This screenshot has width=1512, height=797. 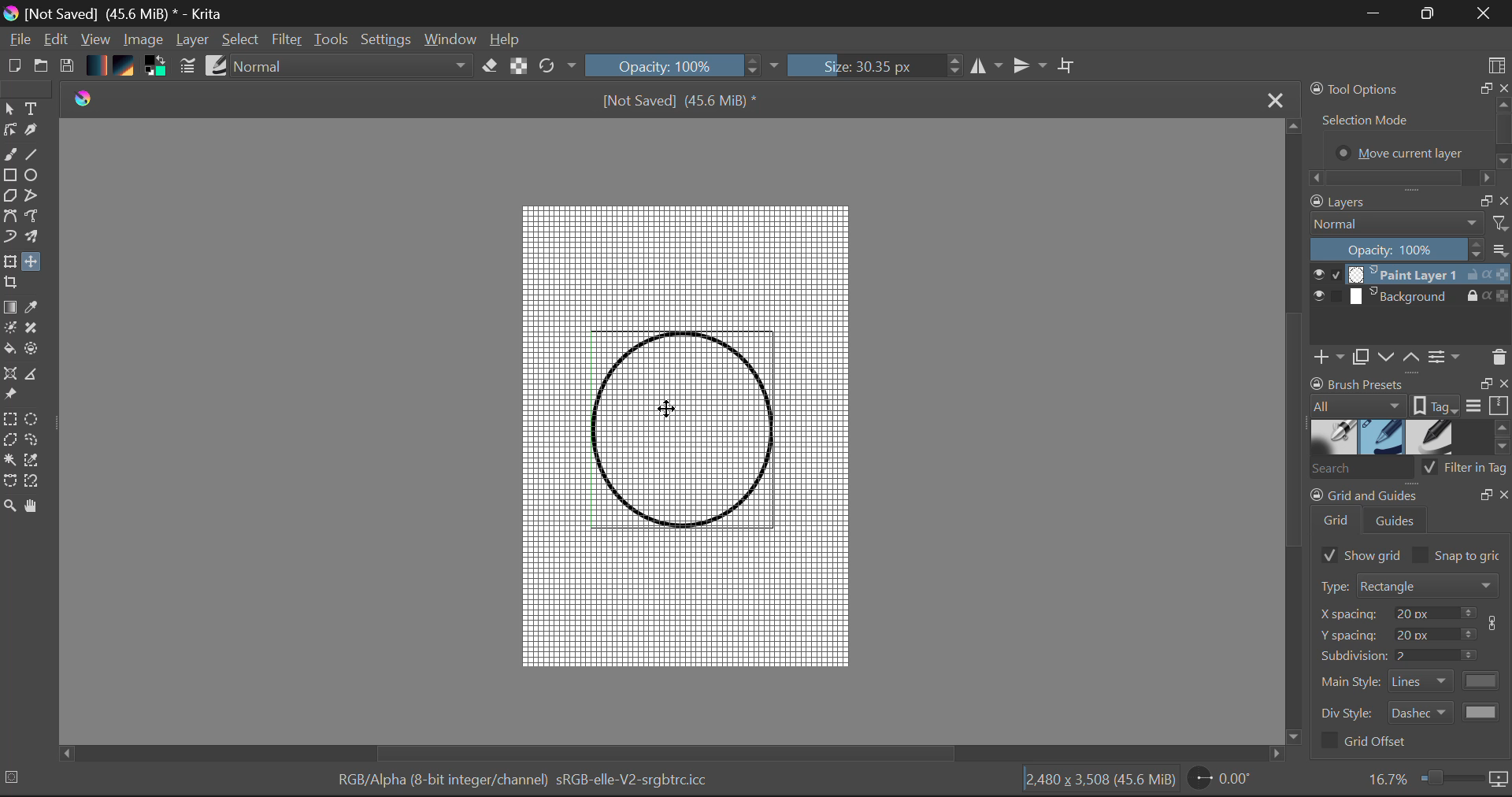 What do you see at coordinates (1374, 14) in the screenshot?
I see `Restore Down` at bounding box center [1374, 14].